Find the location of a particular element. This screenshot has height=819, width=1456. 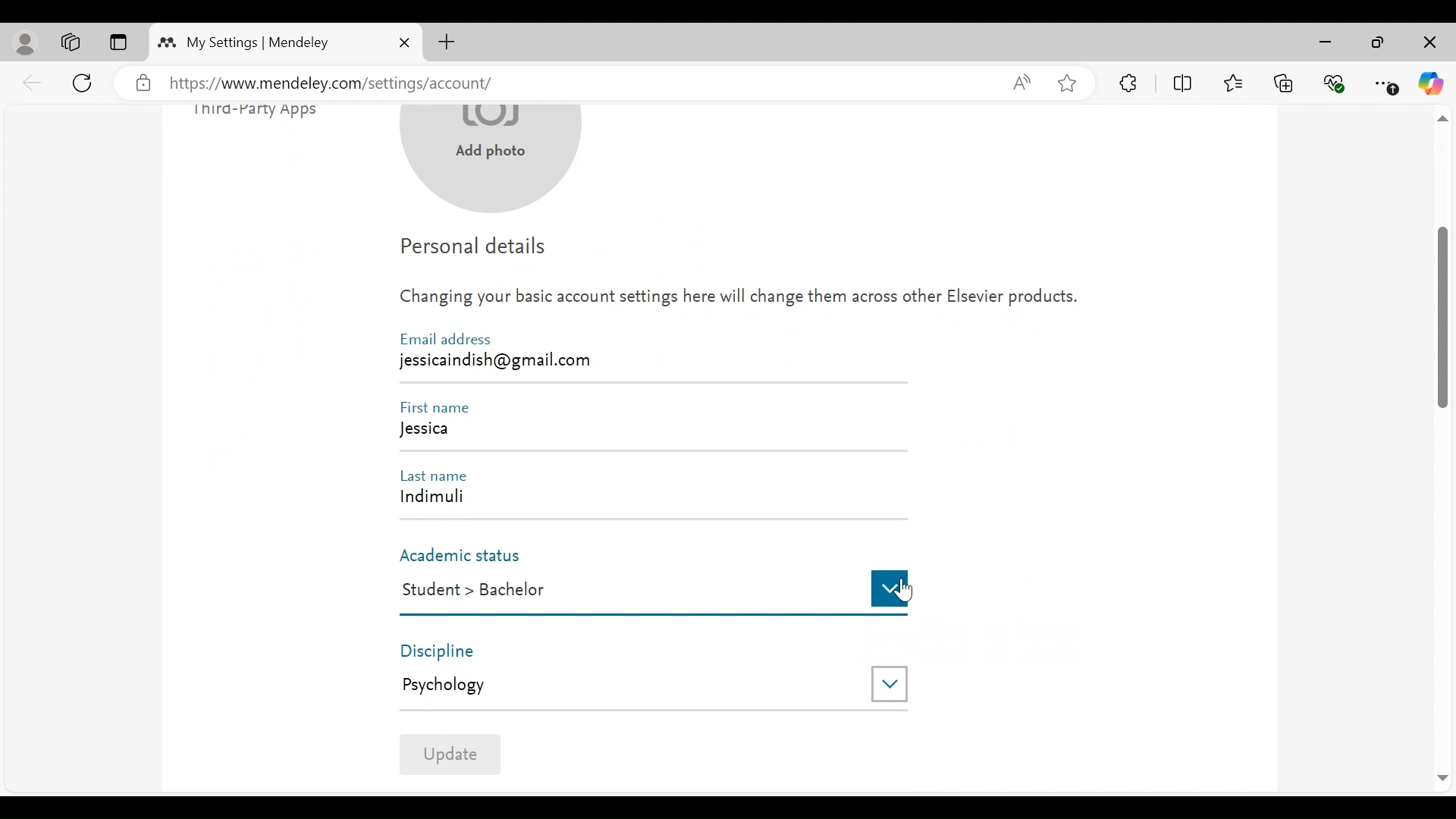

Last Name is located at coordinates (440, 474).